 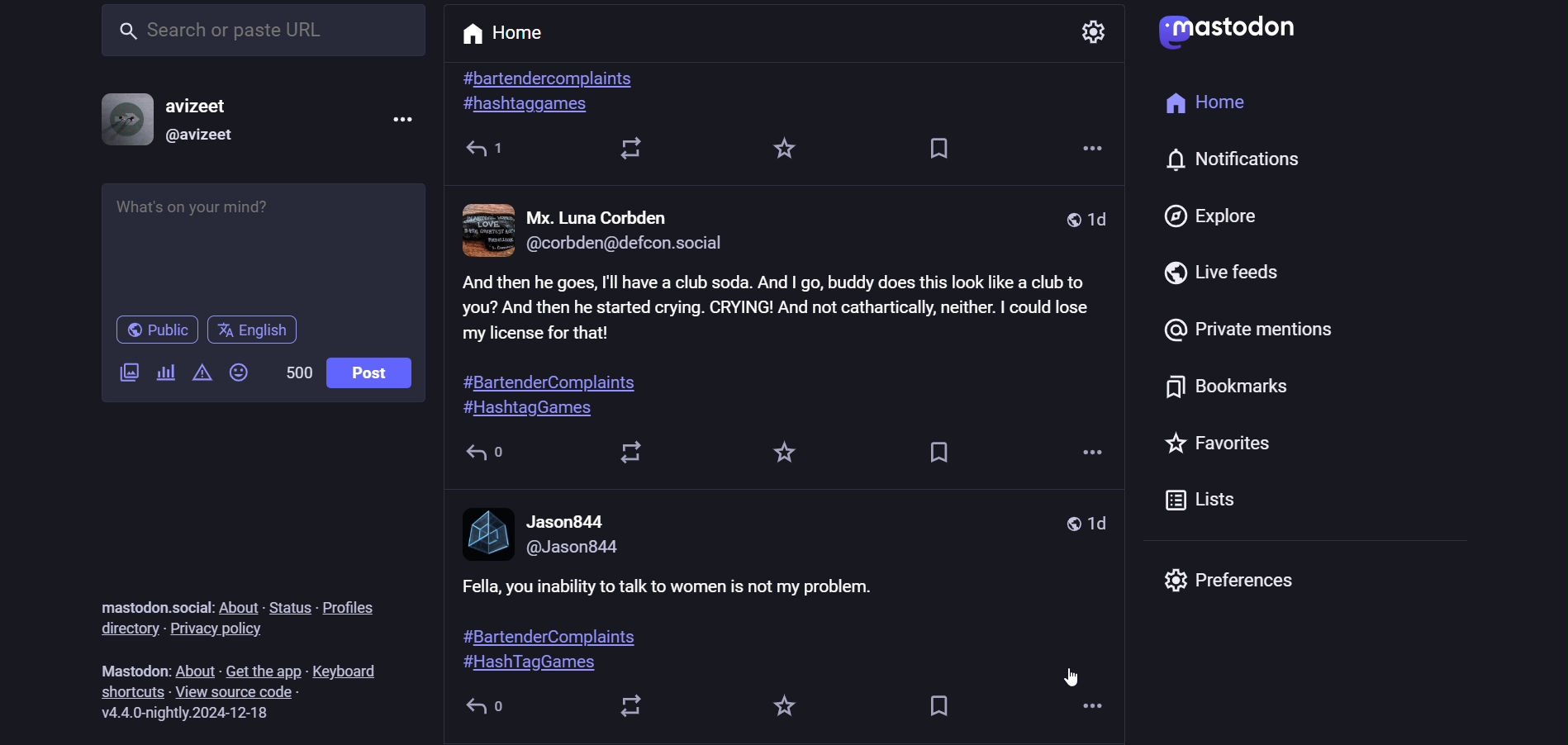 I want to click on more, so click(x=1087, y=452).